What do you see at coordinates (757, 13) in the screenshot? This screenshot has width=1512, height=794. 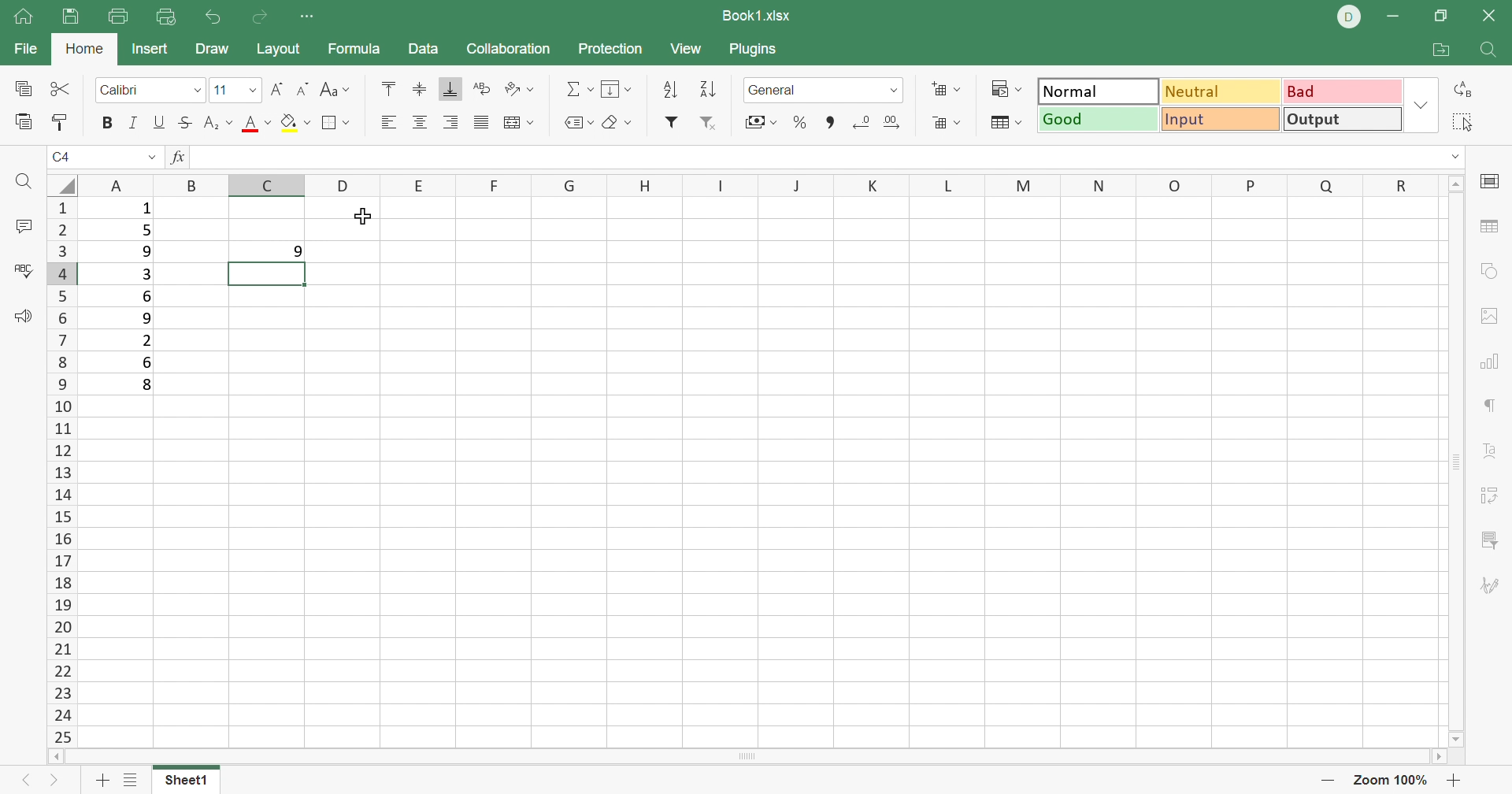 I see `Book1.xlsx` at bounding box center [757, 13].